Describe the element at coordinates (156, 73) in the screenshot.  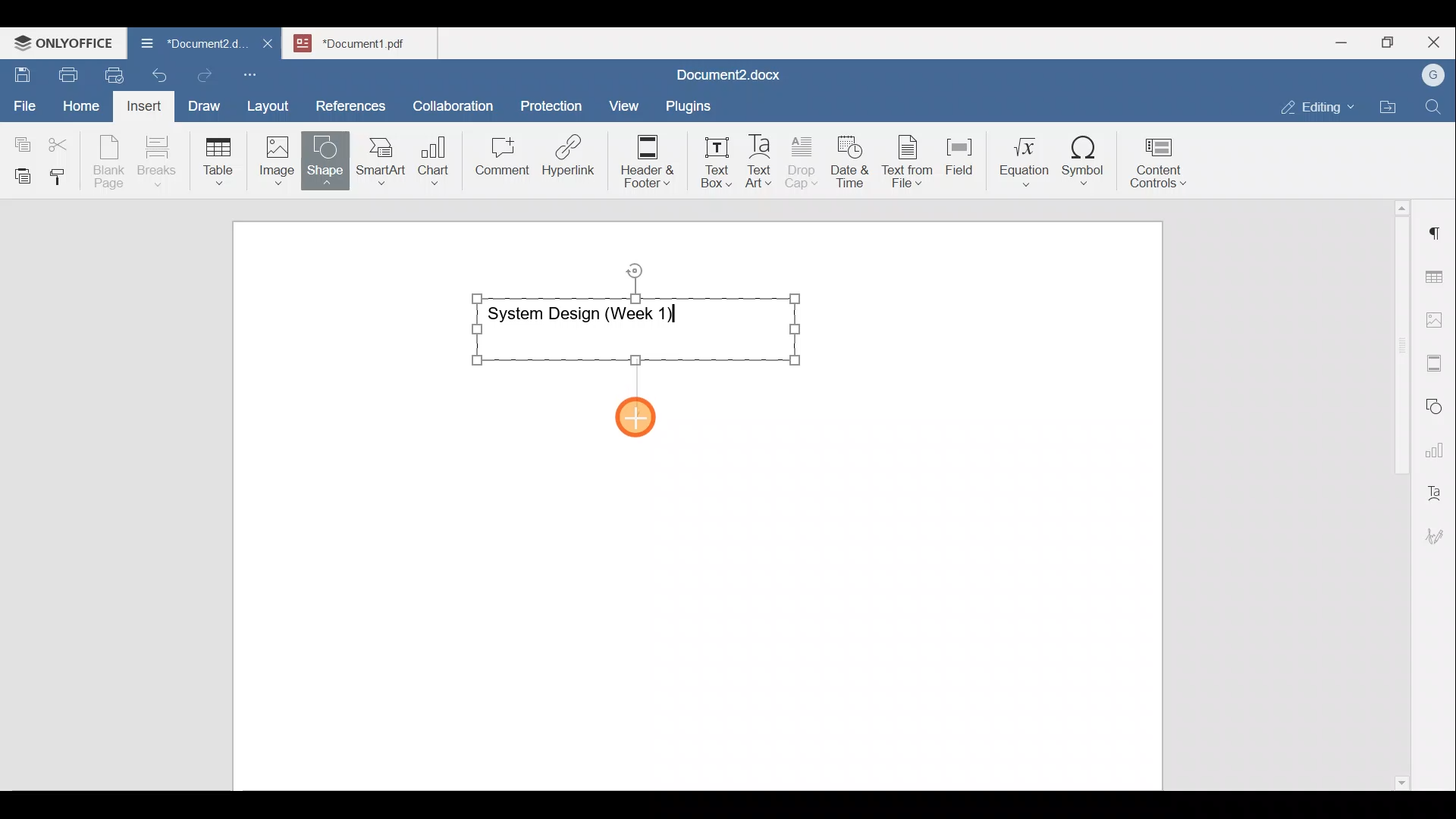
I see `Undo` at that location.